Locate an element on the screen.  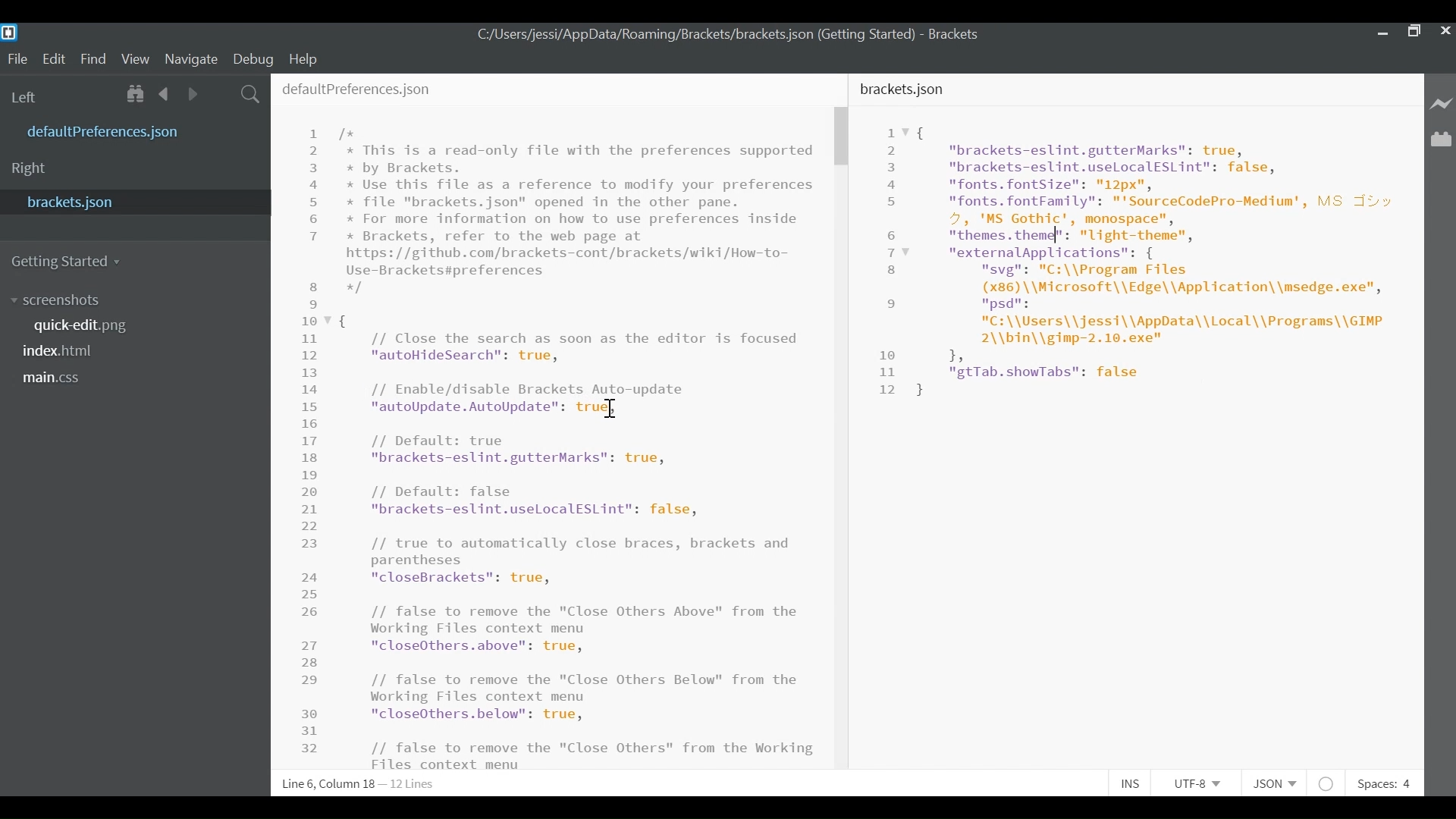
File is located at coordinates (17, 58).